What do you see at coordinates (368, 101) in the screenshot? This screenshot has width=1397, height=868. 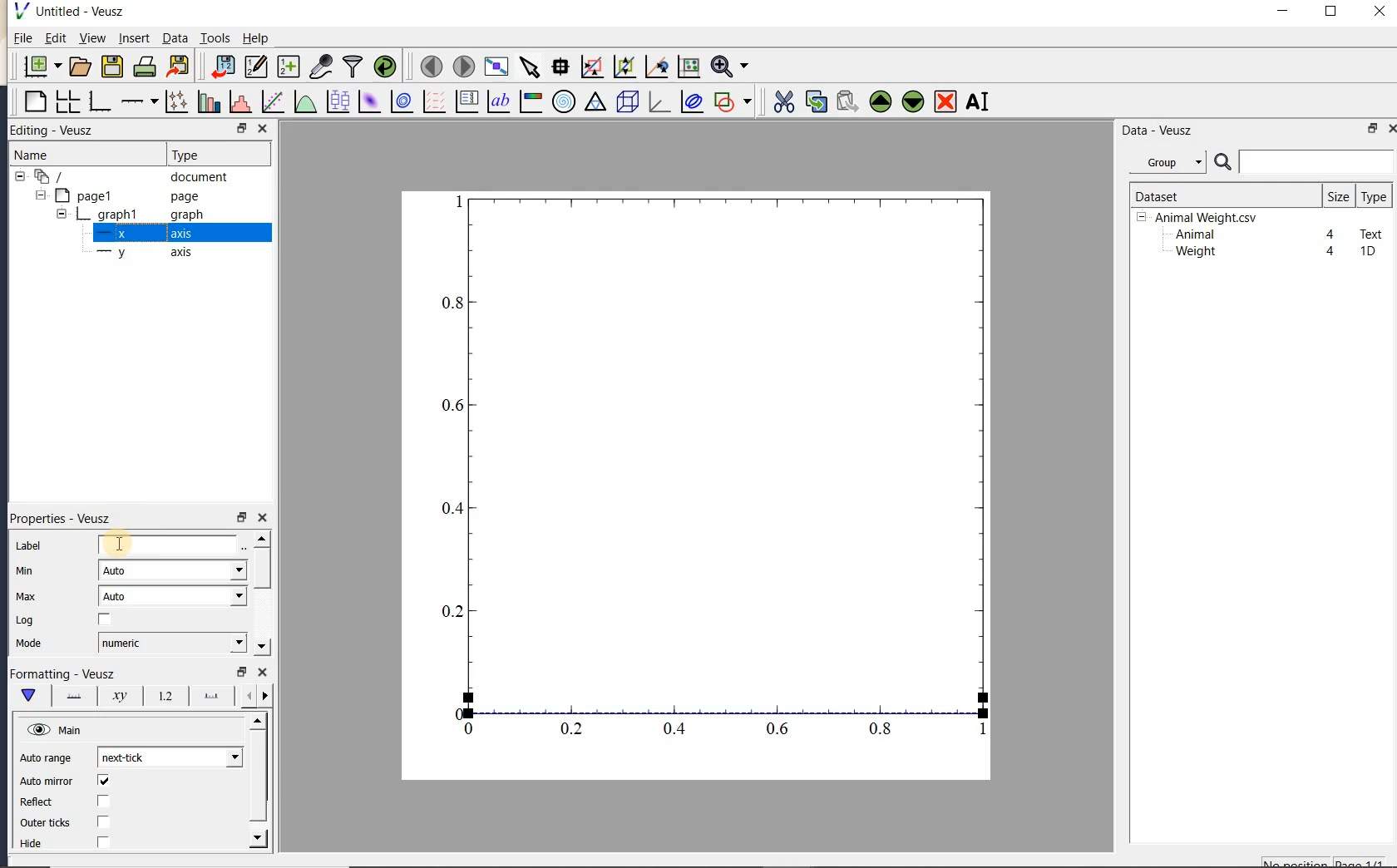 I see `plot a 2d dataset as an image` at bounding box center [368, 101].